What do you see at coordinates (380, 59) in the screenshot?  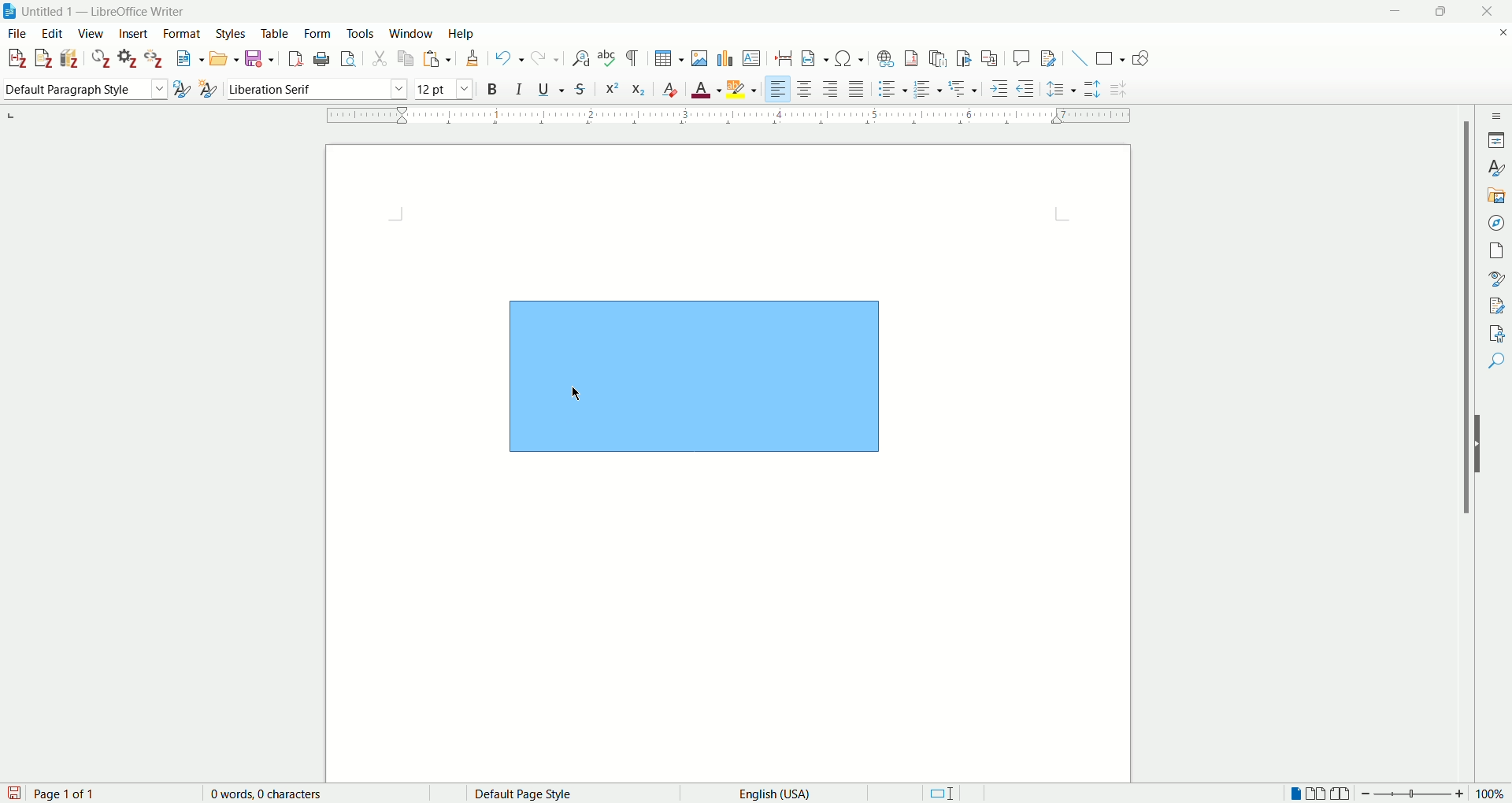 I see `cut` at bounding box center [380, 59].